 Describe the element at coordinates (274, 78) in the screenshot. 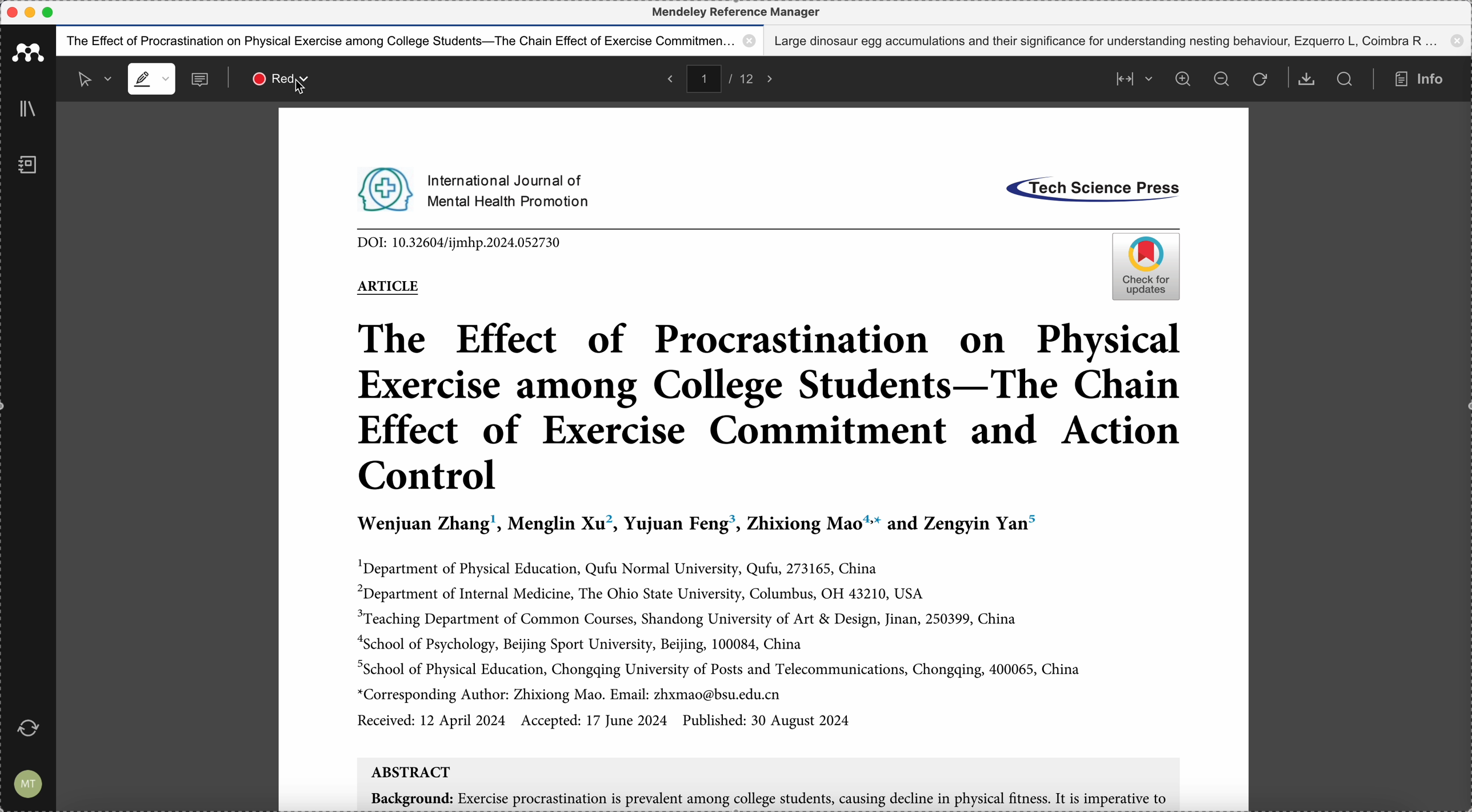

I see `click on highlight color` at that location.